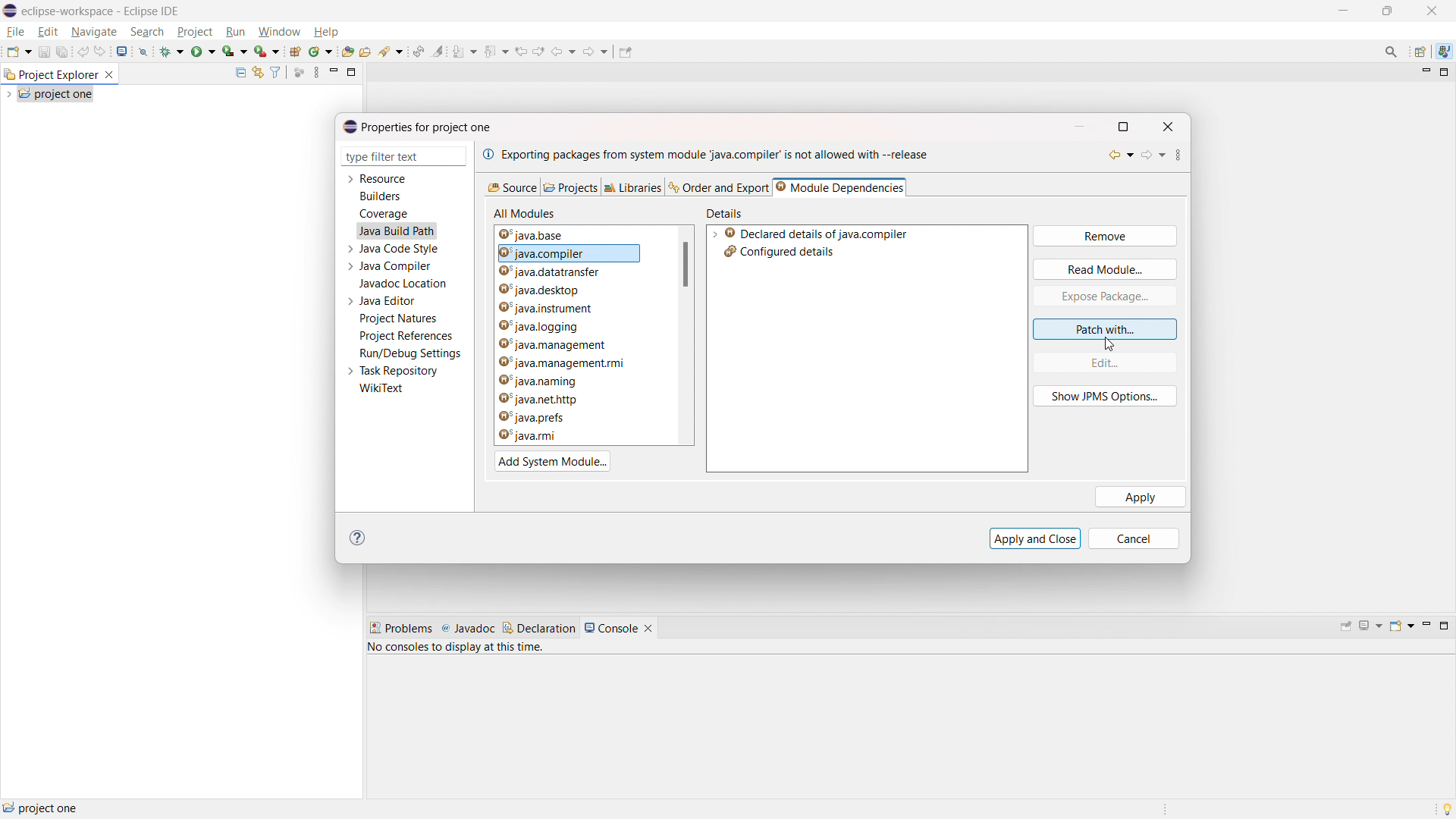 The image size is (1456, 819). Describe the element at coordinates (556, 436) in the screenshot. I see `java.rmi` at that location.